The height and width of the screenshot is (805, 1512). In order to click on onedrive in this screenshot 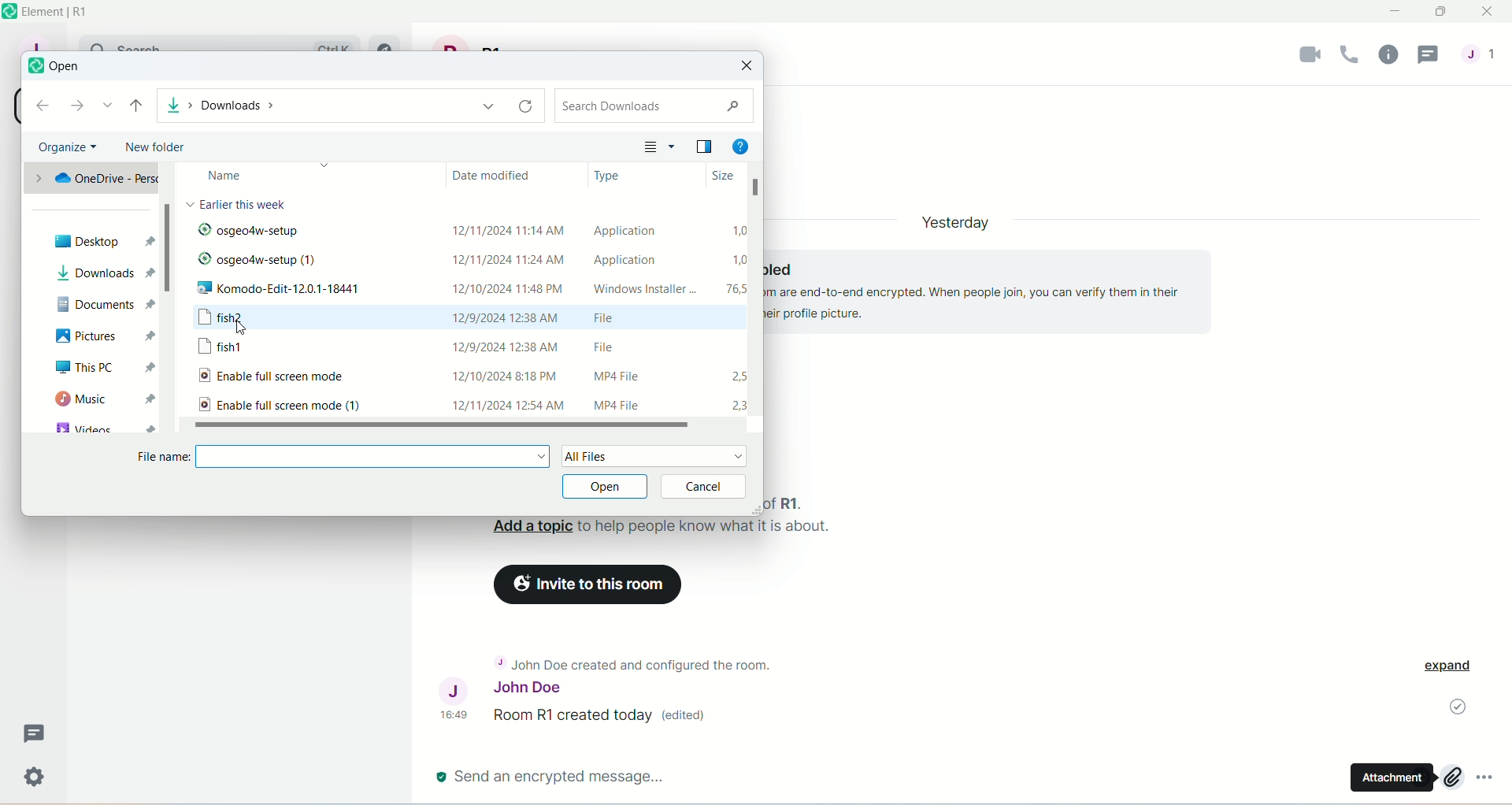, I will do `click(91, 179)`.